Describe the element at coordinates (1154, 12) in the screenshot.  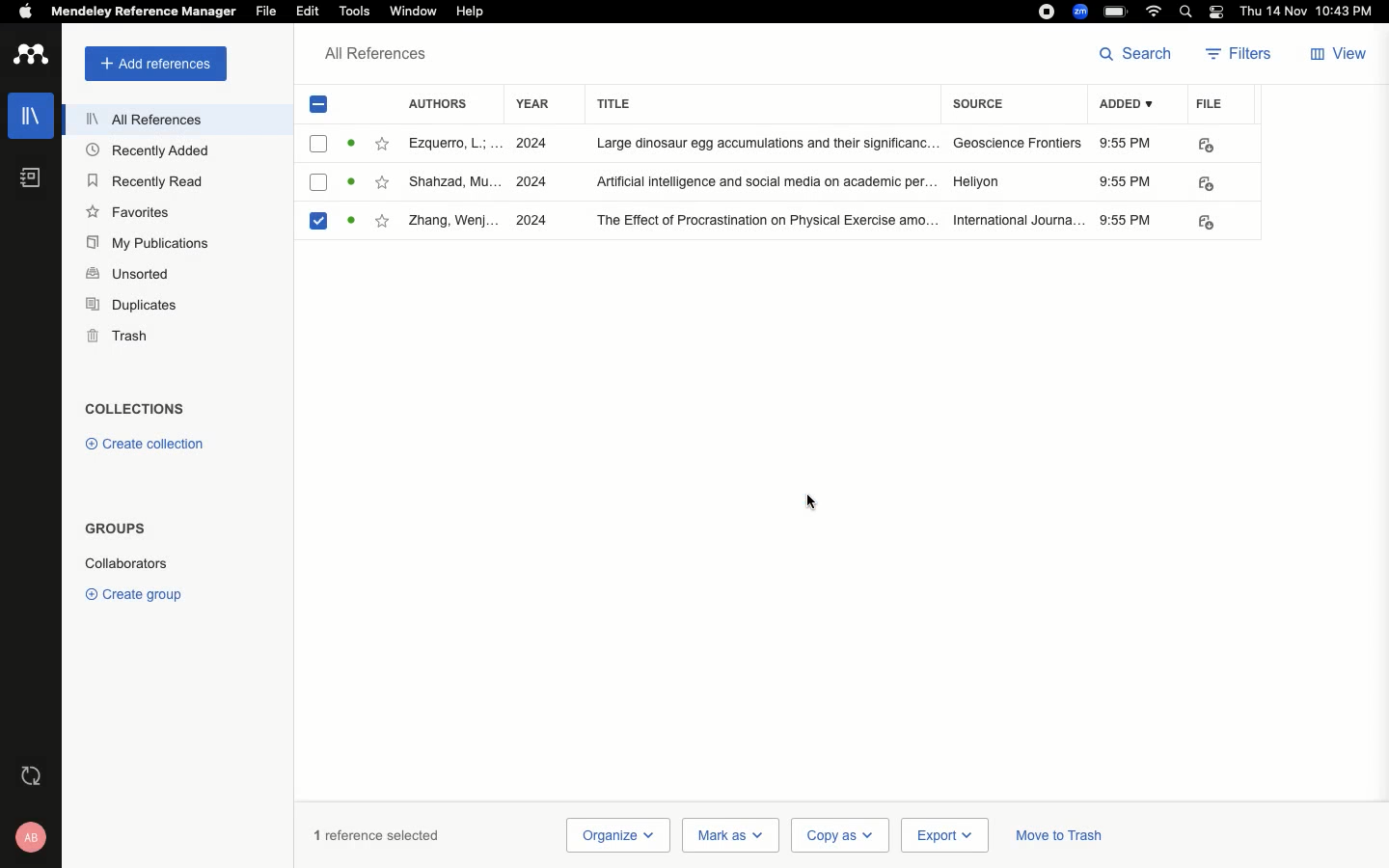
I see `Internet` at that location.